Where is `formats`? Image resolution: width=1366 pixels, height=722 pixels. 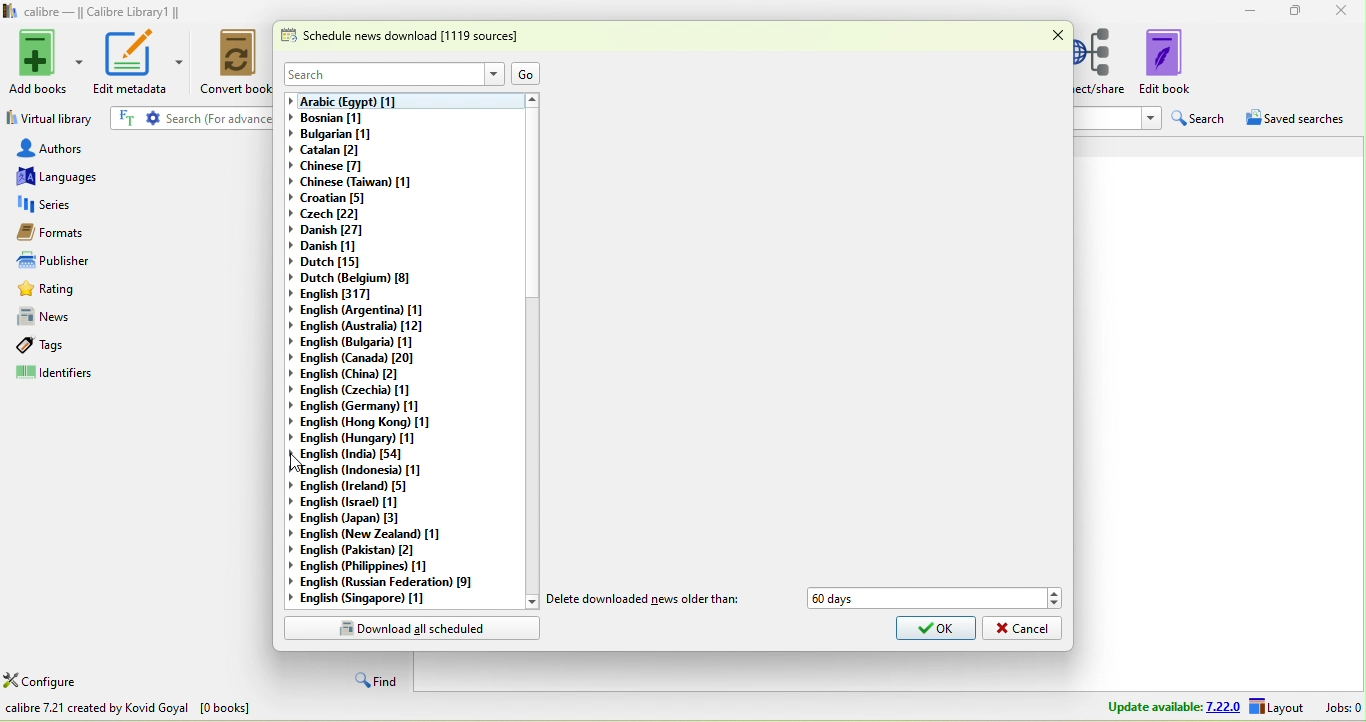 formats is located at coordinates (139, 233).